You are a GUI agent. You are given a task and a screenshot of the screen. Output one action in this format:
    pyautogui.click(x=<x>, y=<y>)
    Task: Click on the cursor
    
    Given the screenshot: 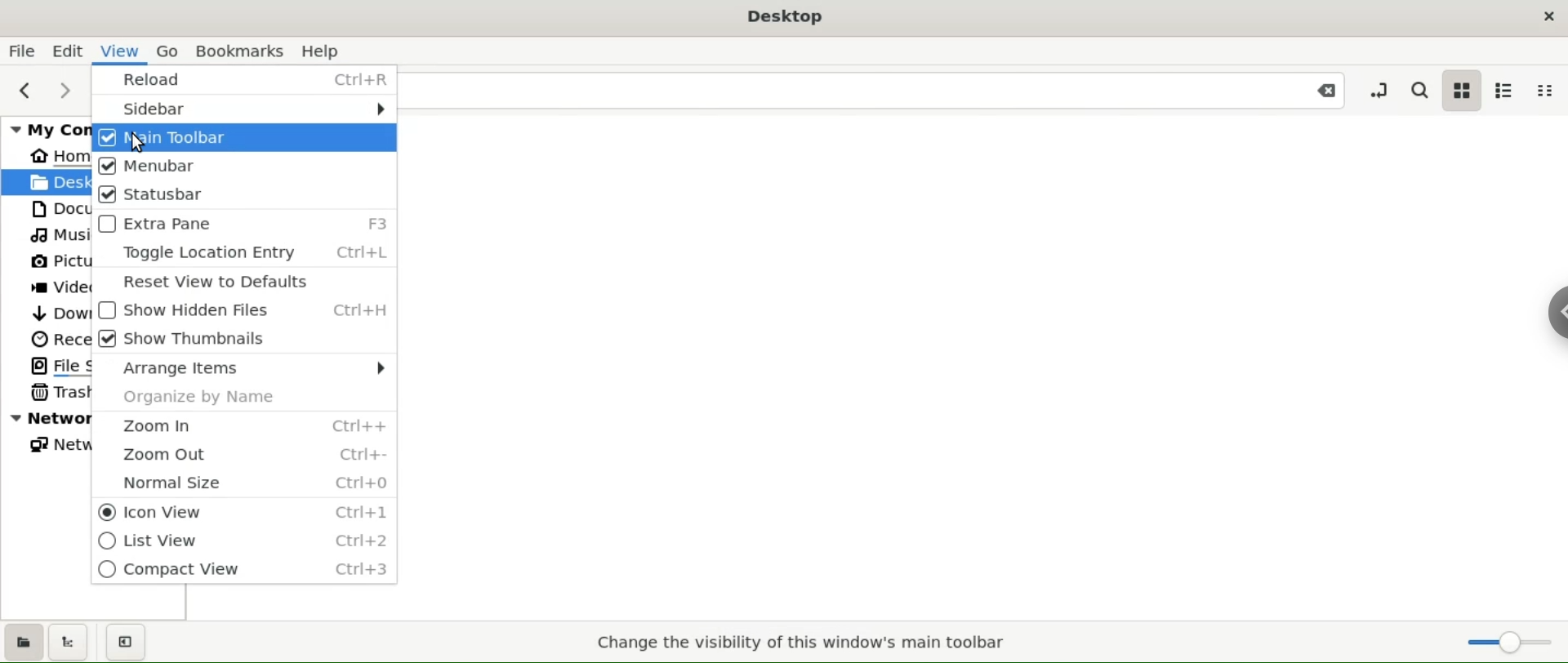 What is the action you would take?
    pyautogui.click(x=150, y=144)
    